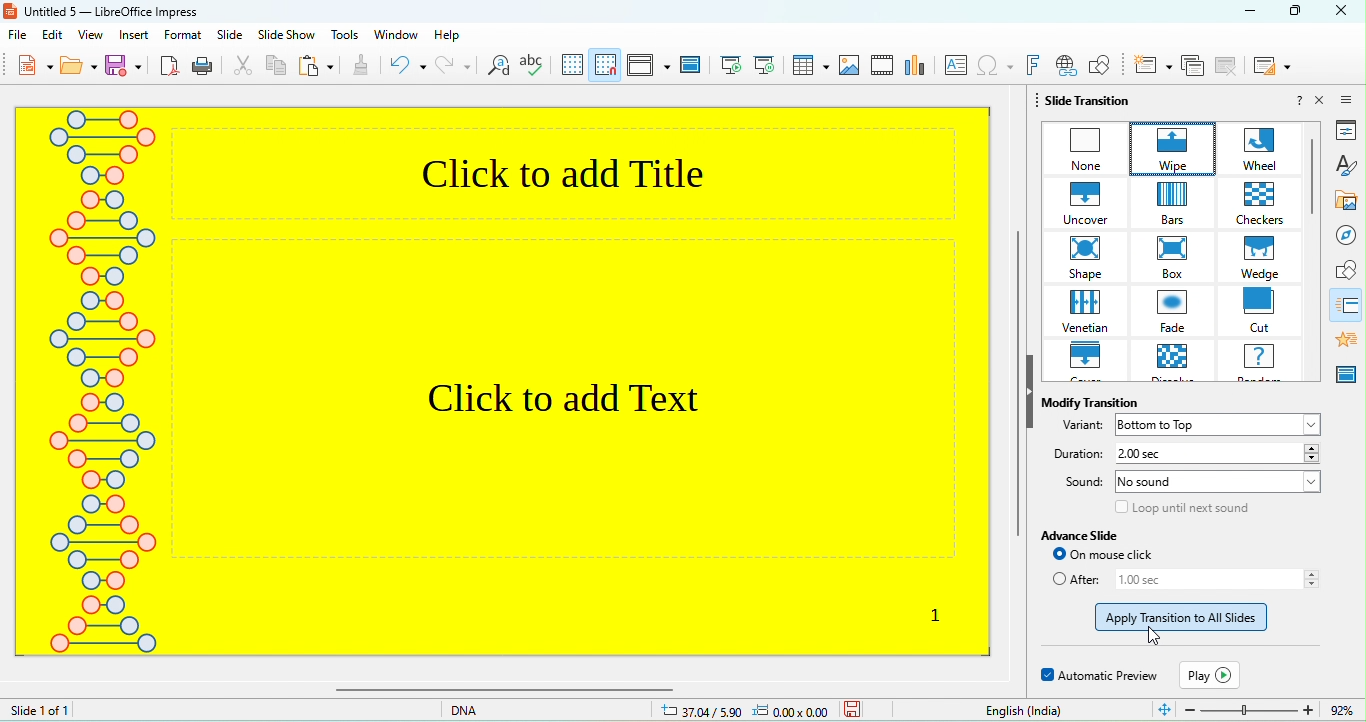  Describe the element at coordinates (796, 710) in the screenshot. I see `0.00x0.00` at that location.